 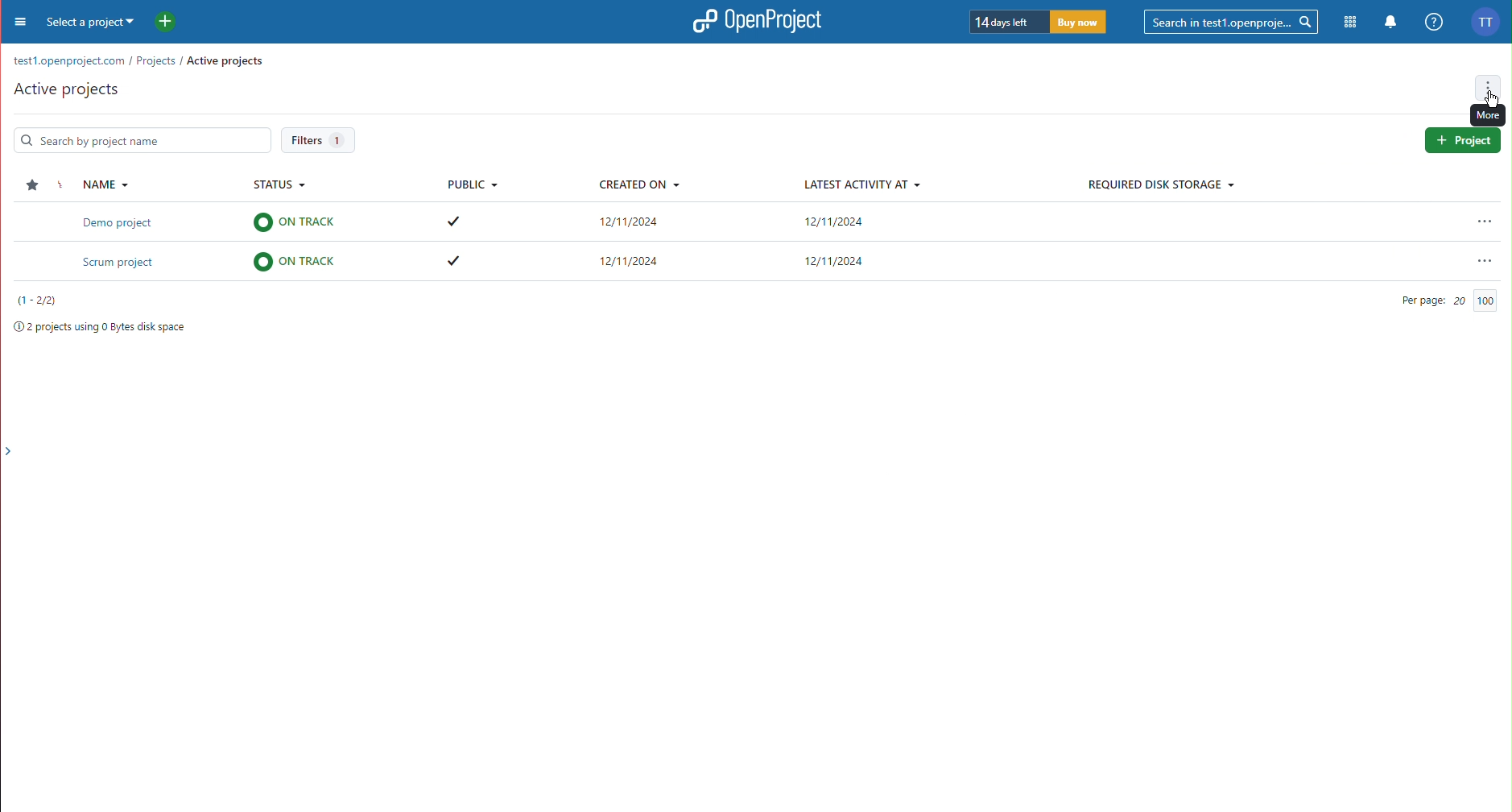 I want to click on Searchbar, so click(x=1225, y=22).